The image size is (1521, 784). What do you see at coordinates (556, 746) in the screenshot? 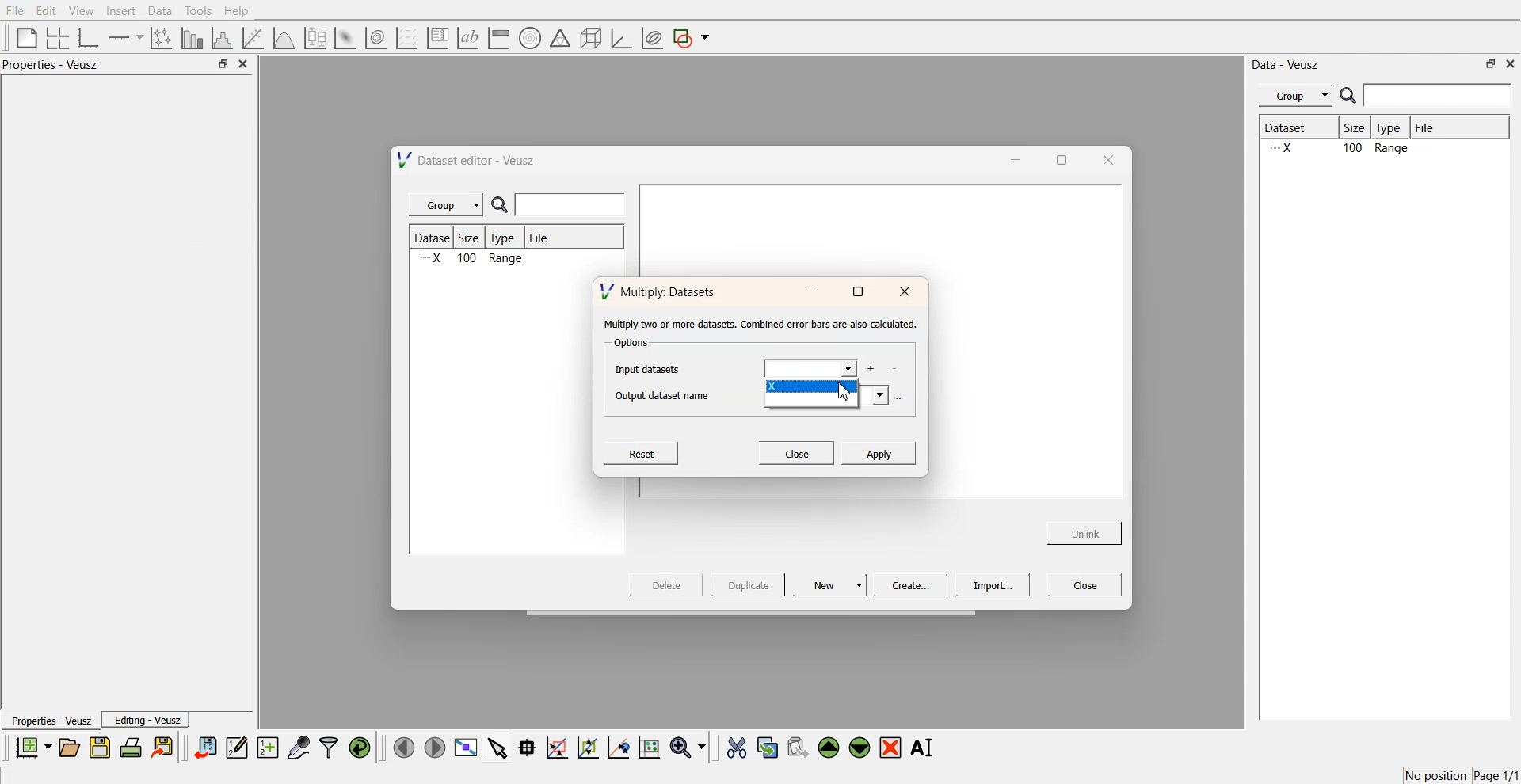
I see `draw a rectangle on zoom graph axes` at bounding box center [556, 746].